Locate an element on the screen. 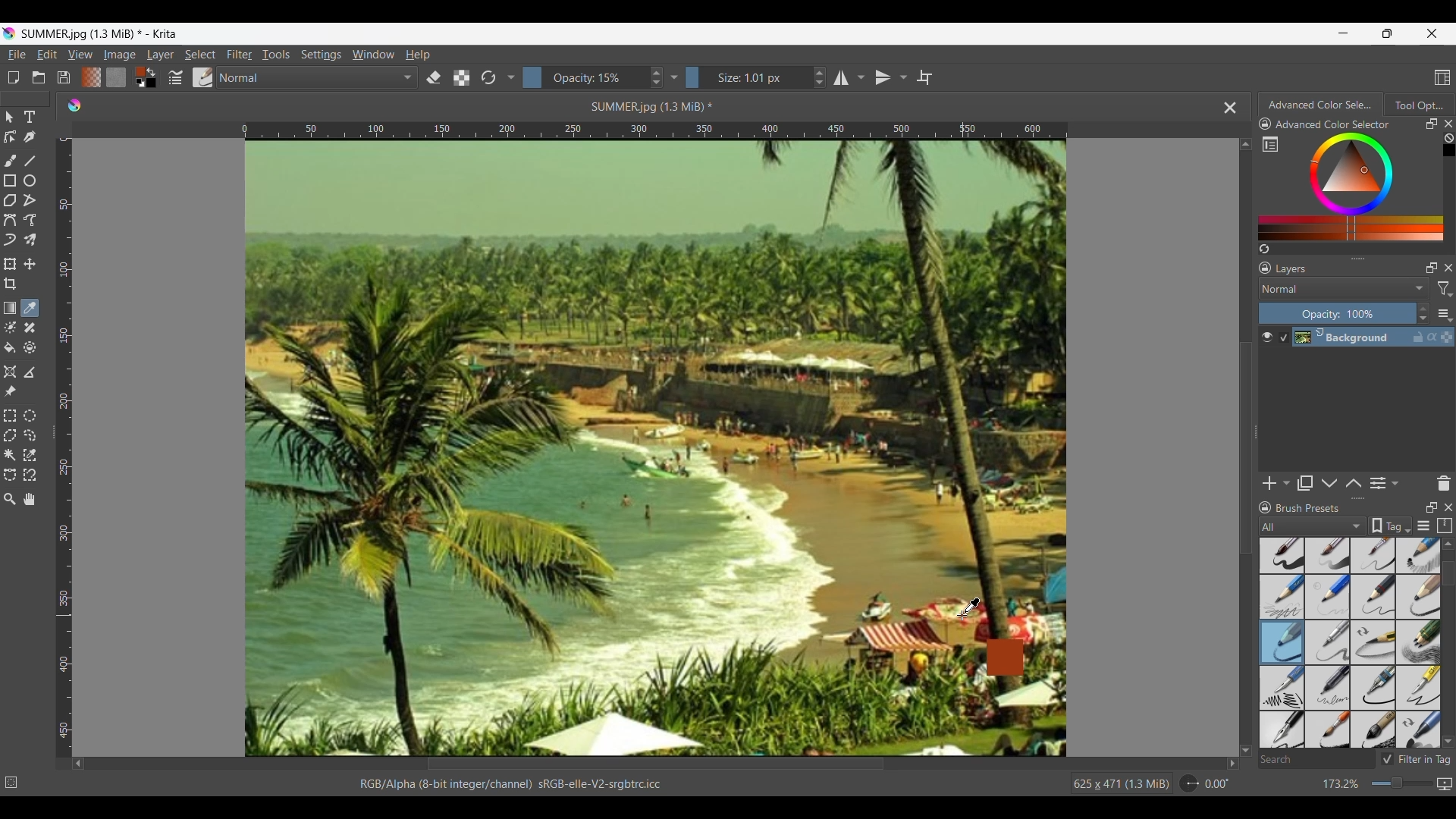  Color range is located at coordinates (1360, 187).